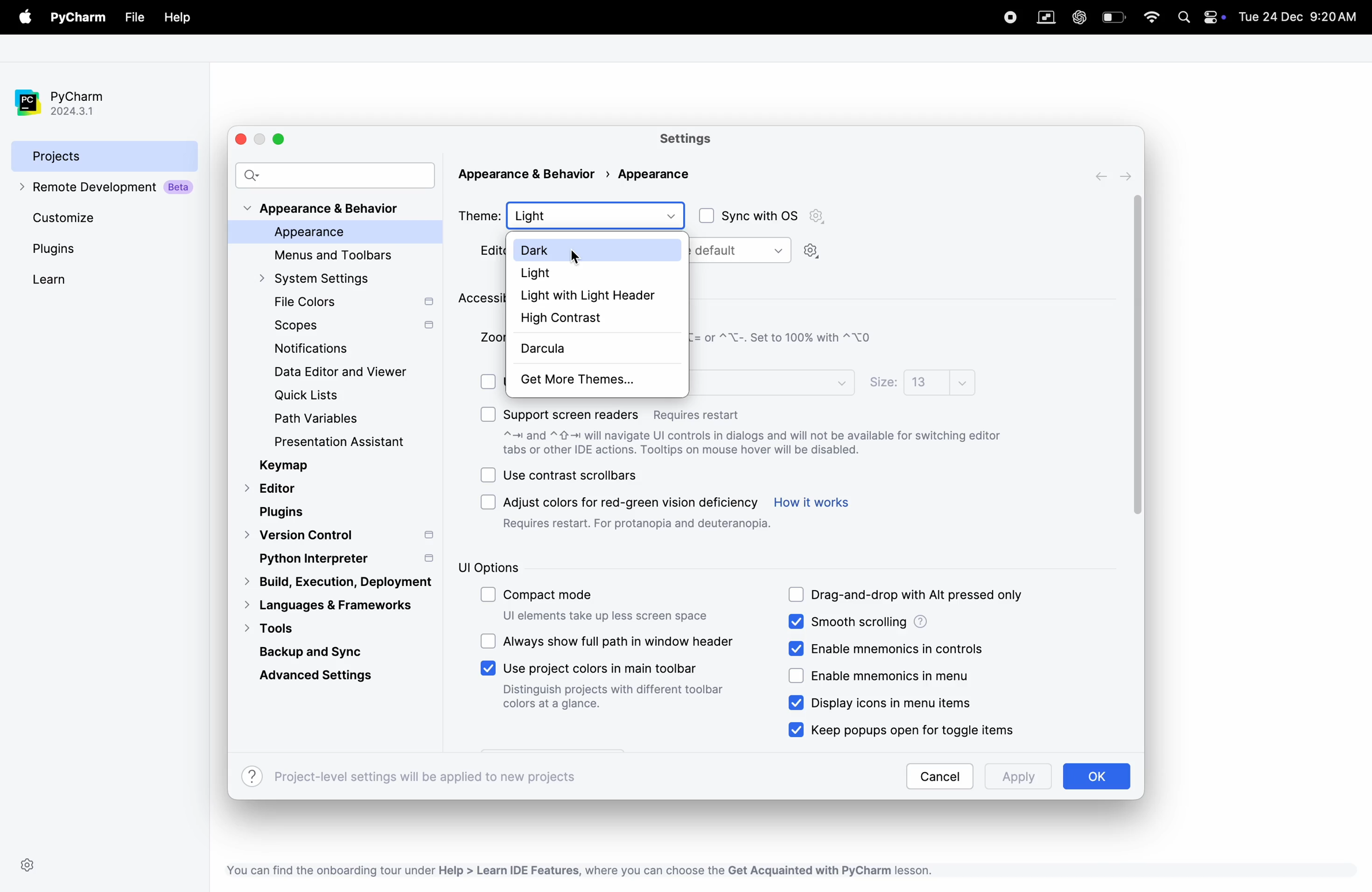 This screenshot has width=1372, height=892. What do you see at coordinates (274, 490) in the screenshot?
I see `editor` at bounding box center [274, 490].